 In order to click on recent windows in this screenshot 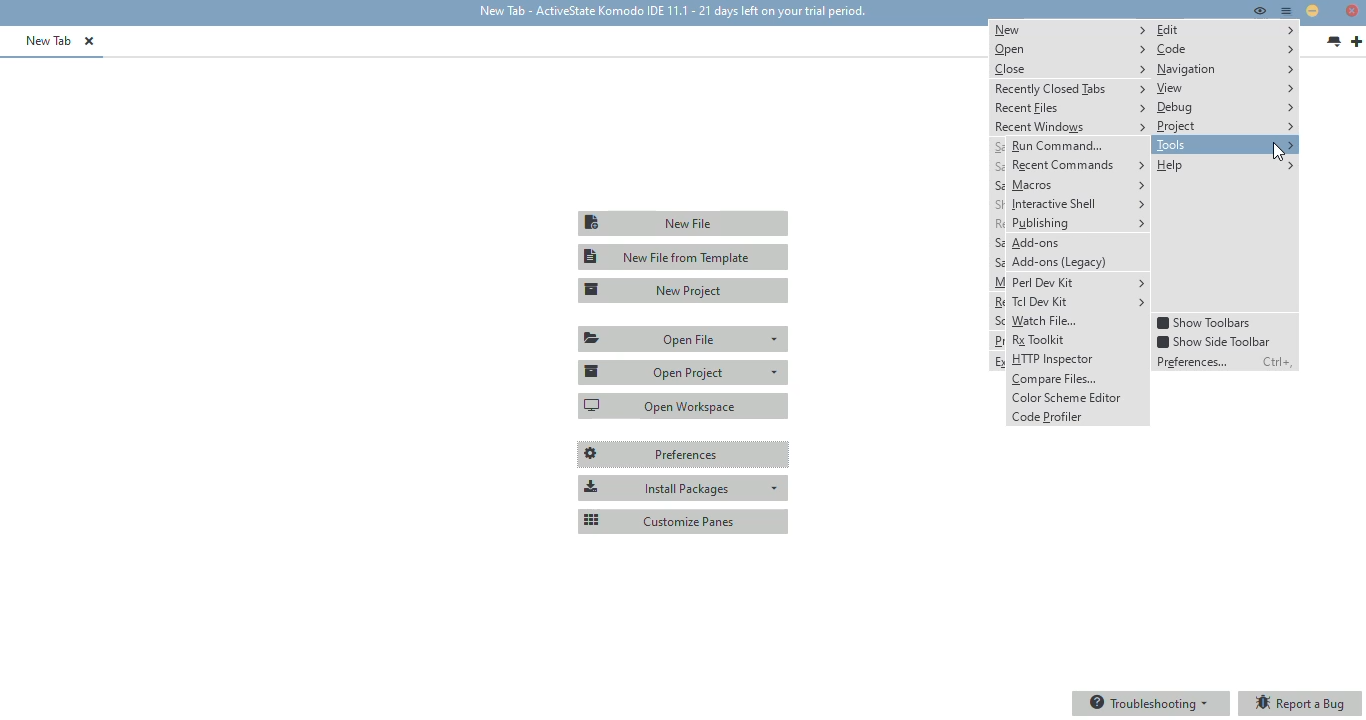, I will do `click(1070, 127)`.